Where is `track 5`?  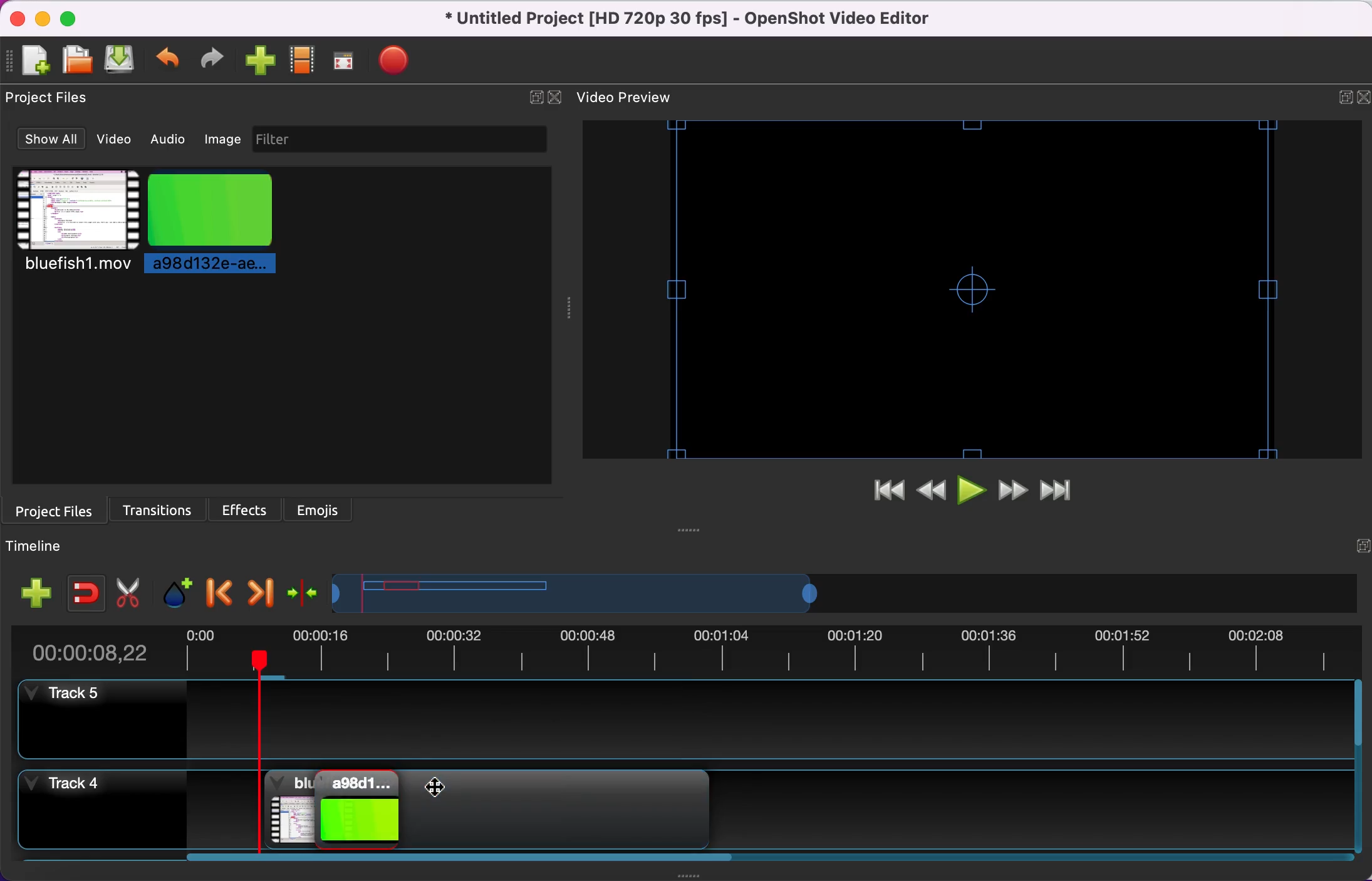 track 5 is located at coordinates (693, 719).